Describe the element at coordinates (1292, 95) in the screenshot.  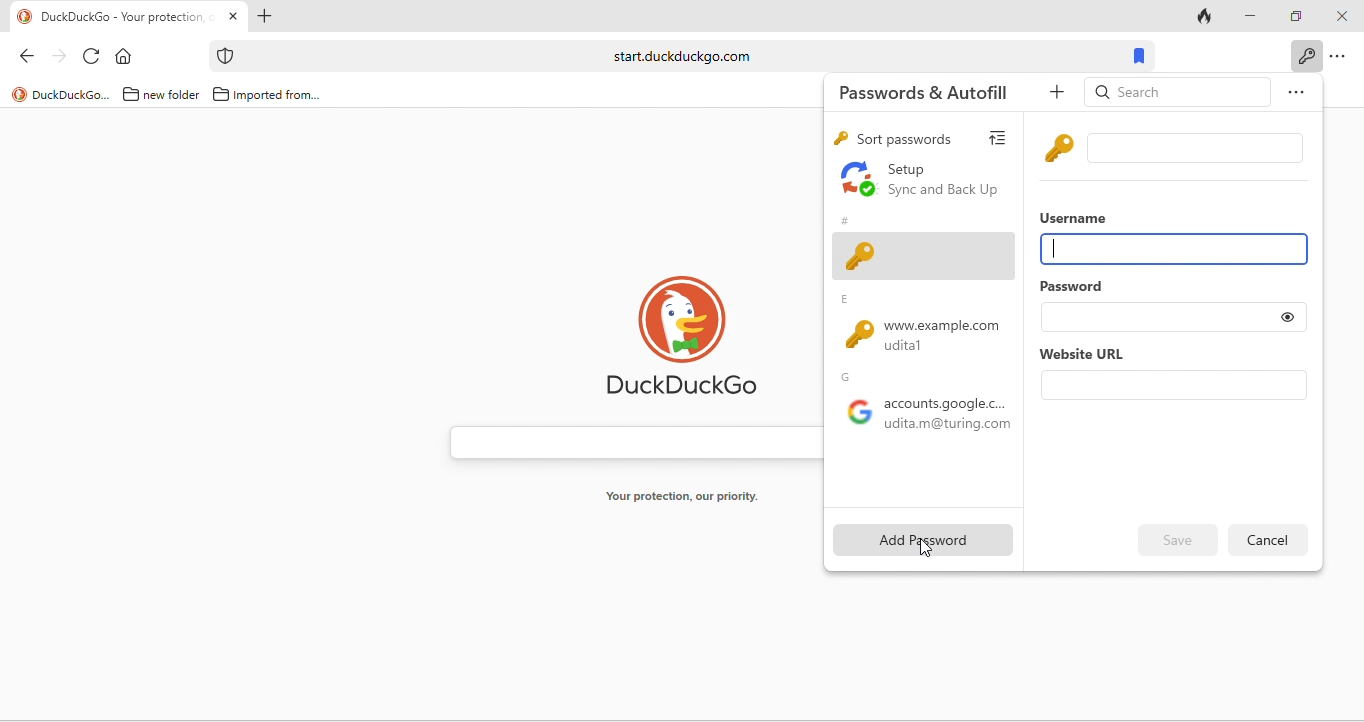
I see `option` at that location.